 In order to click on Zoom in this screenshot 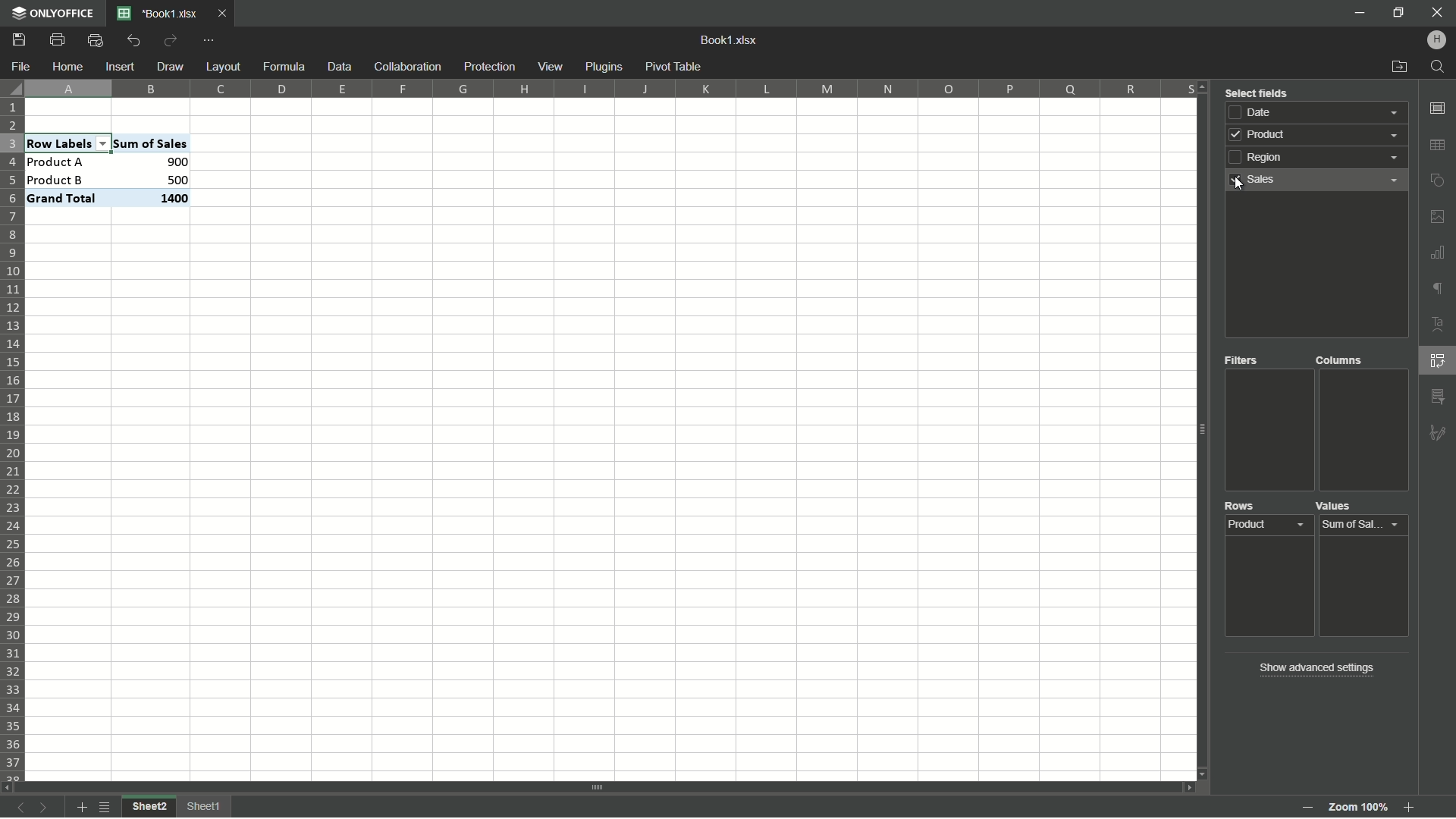, I will do `click(1410, 810)`.